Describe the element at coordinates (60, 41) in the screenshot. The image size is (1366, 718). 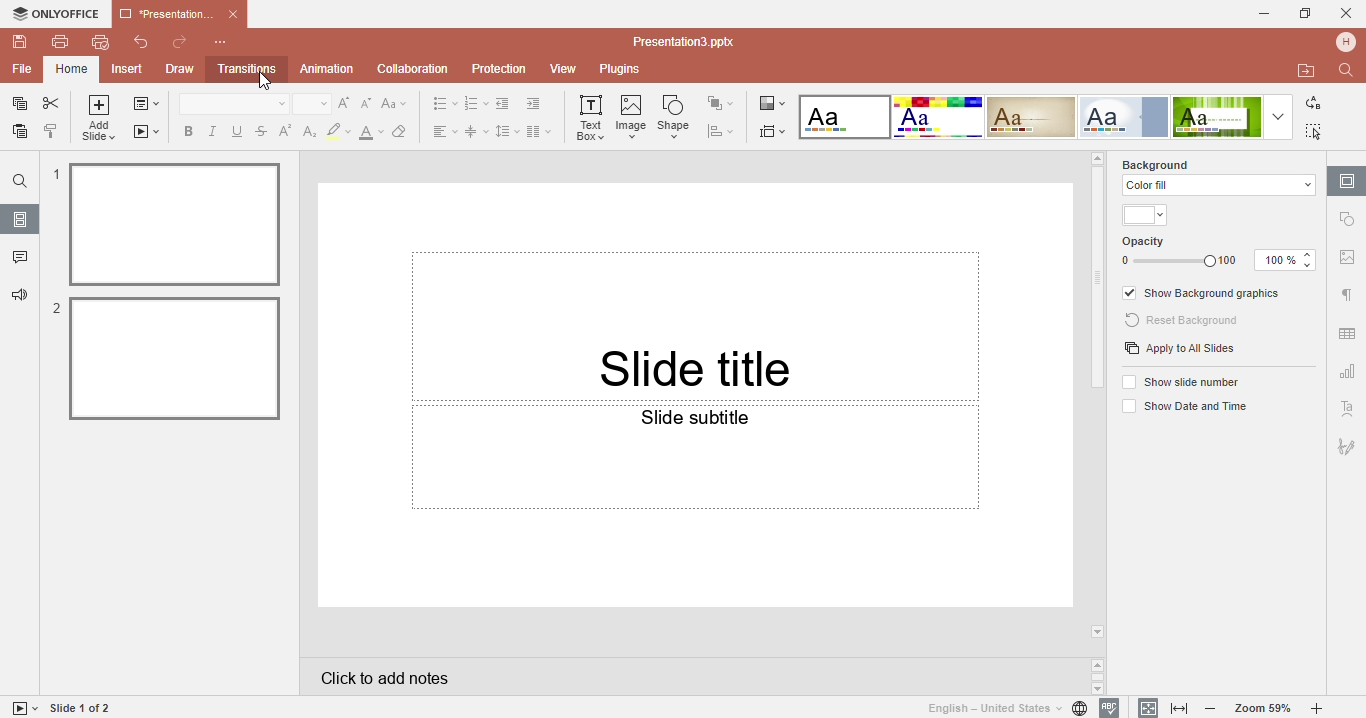
I see `Print file` at that location.